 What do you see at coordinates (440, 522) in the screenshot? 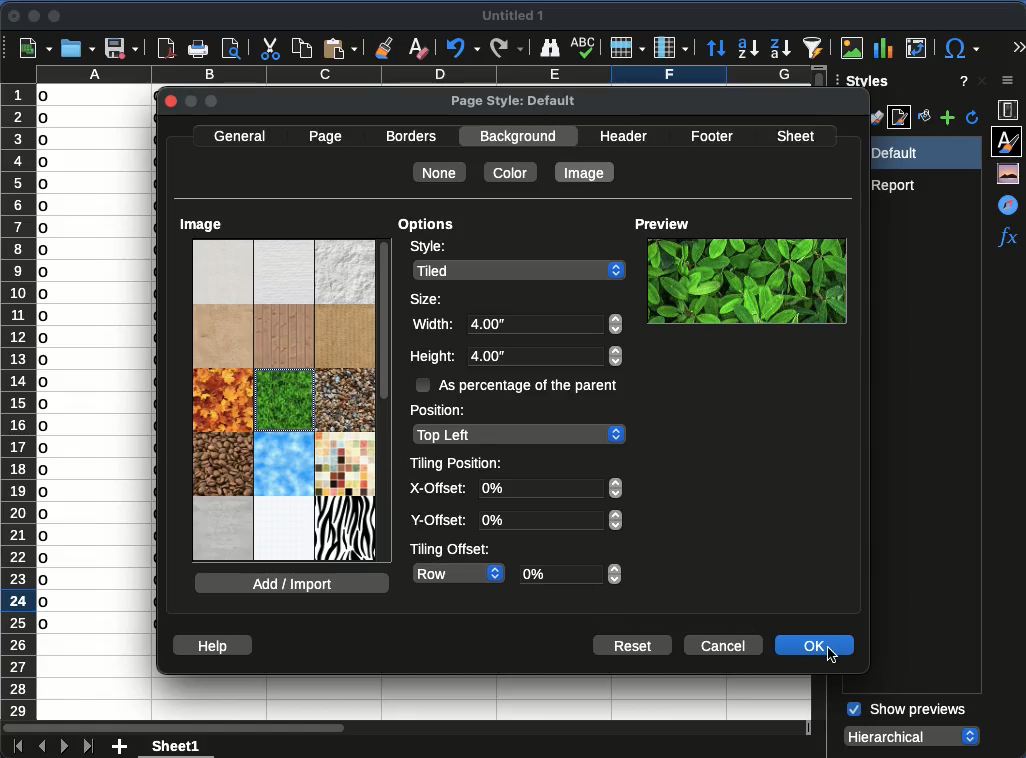
I see `y offset` at bounding box center [440, 522].